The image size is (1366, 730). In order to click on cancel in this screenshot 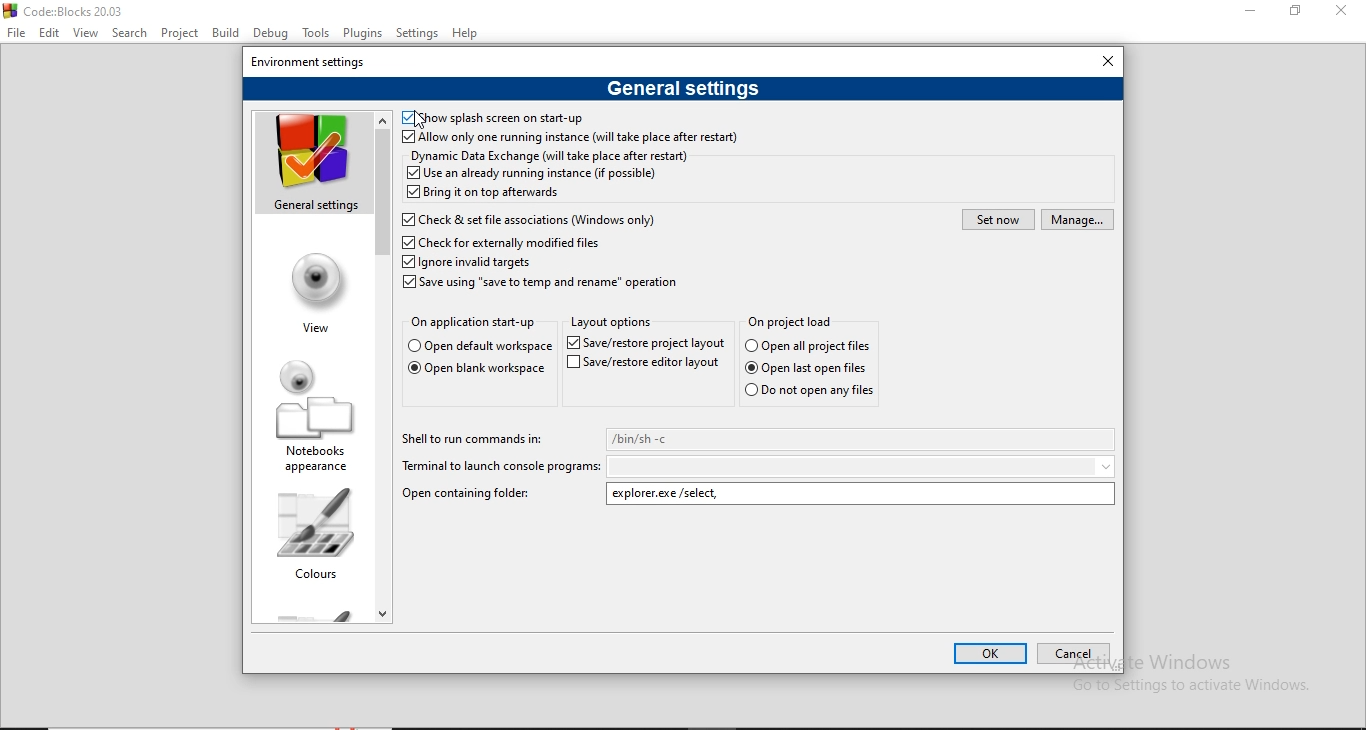, I will do `click(1076, 653)`.